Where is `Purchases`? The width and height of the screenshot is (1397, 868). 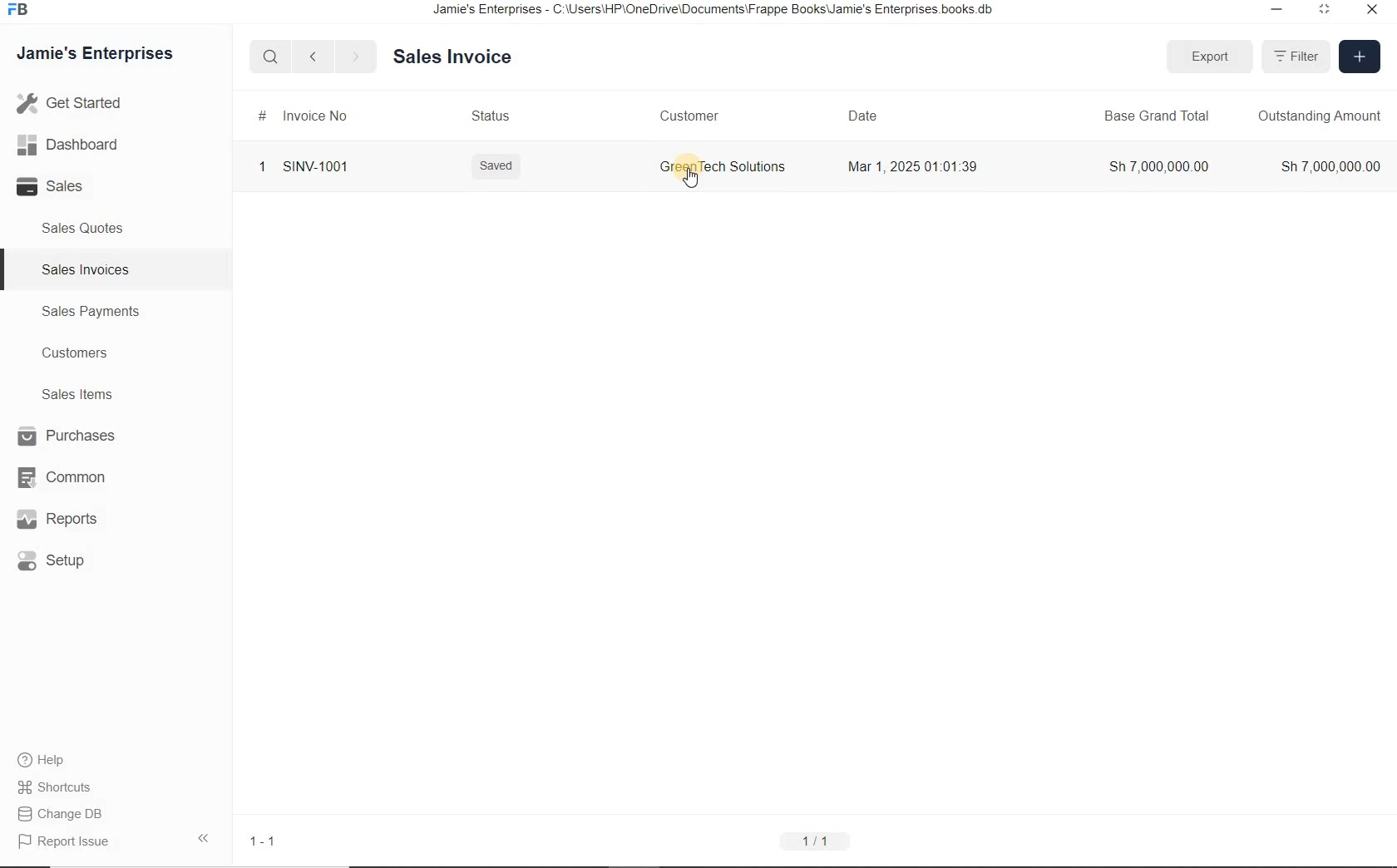 Purchases is located at coordinates (62, 436).